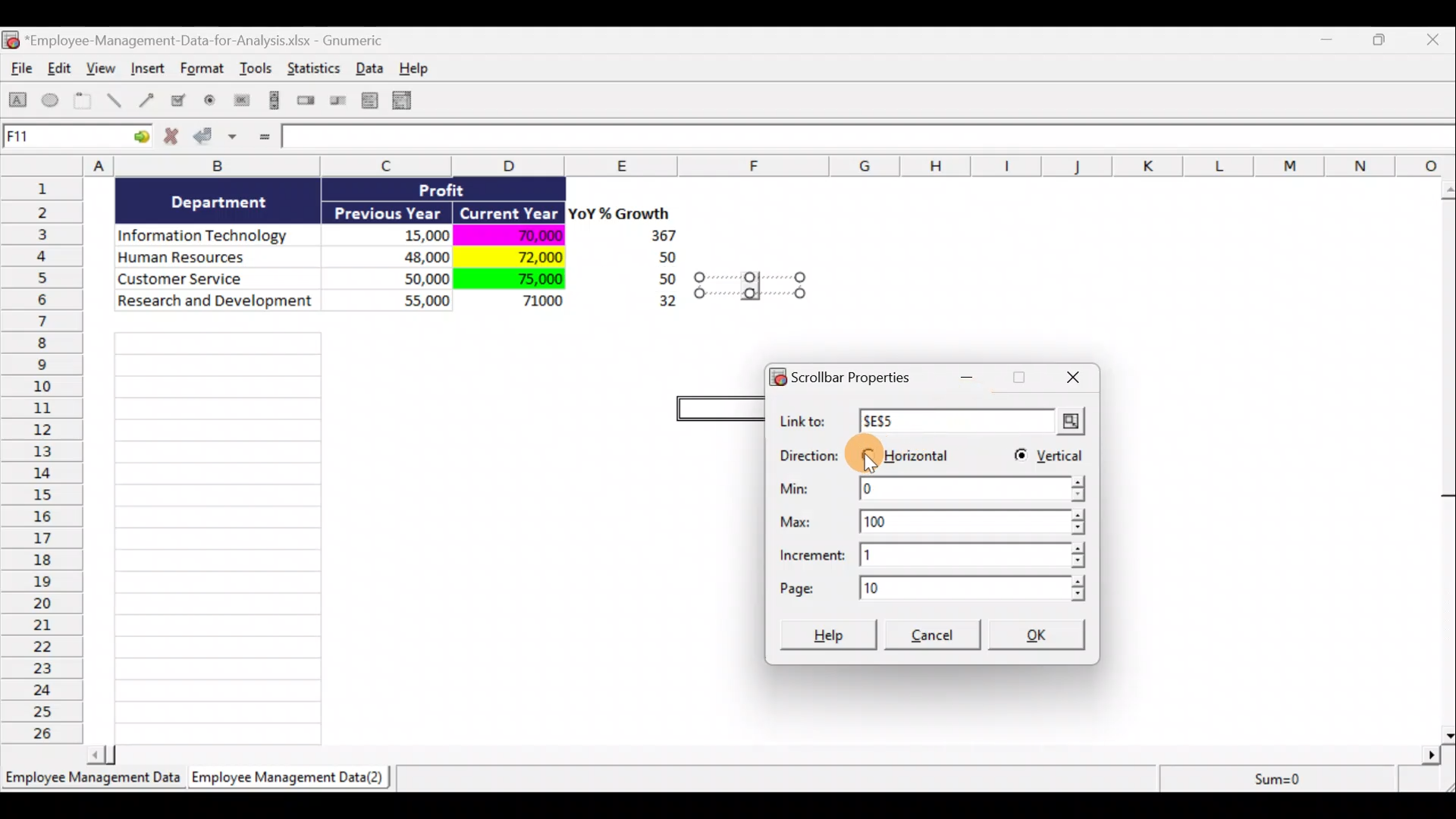 The width and height of the screenshot is (1456, 819). What do you see at coordinates (240, 104) in the screenshot?
I see `Create a button` at bounding box center [240, 104].